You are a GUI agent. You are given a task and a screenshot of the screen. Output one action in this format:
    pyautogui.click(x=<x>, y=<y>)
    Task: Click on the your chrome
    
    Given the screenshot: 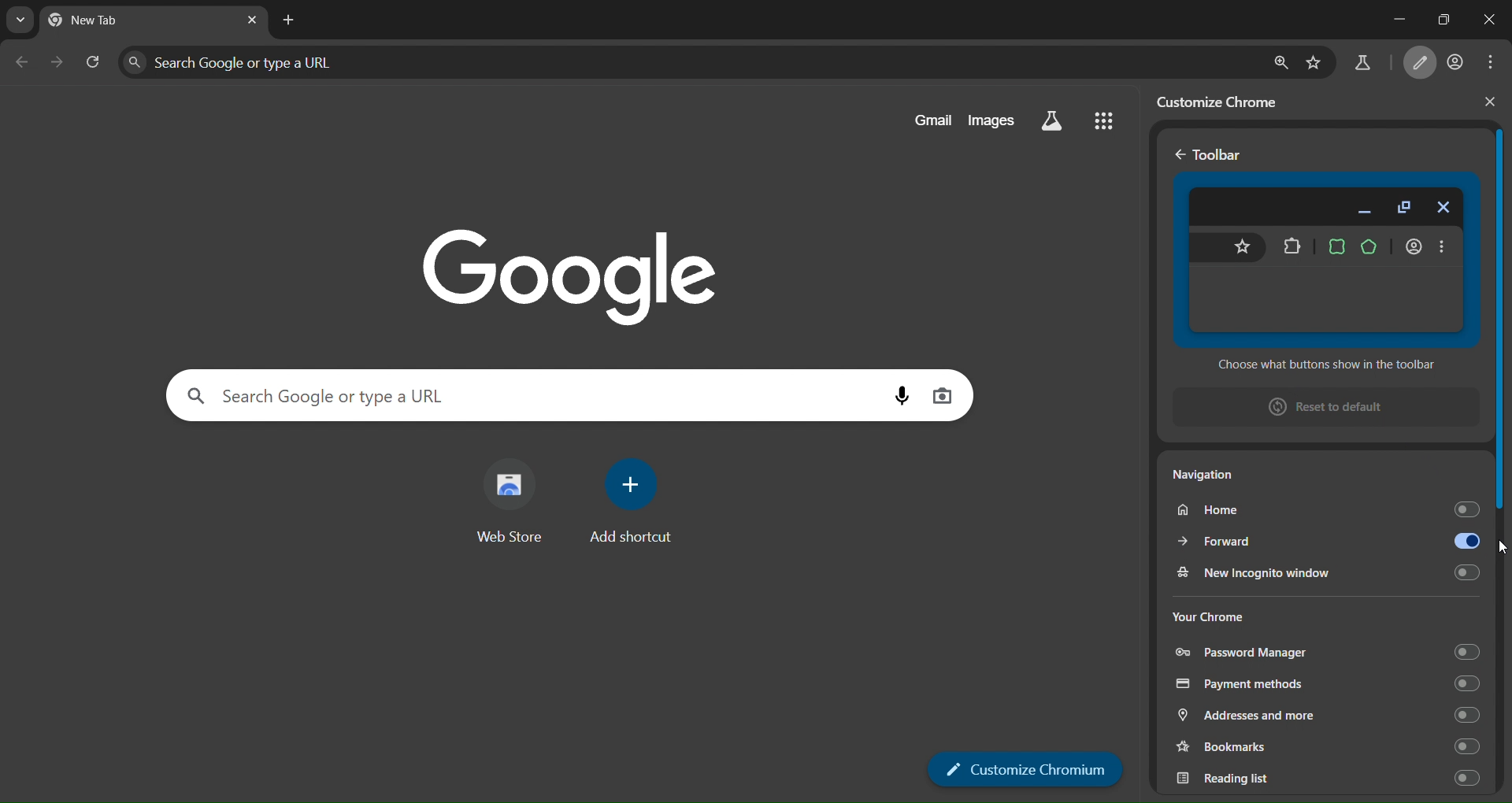 What is the action you would take?
    pyautogui.click(x=1209, y=617)
    